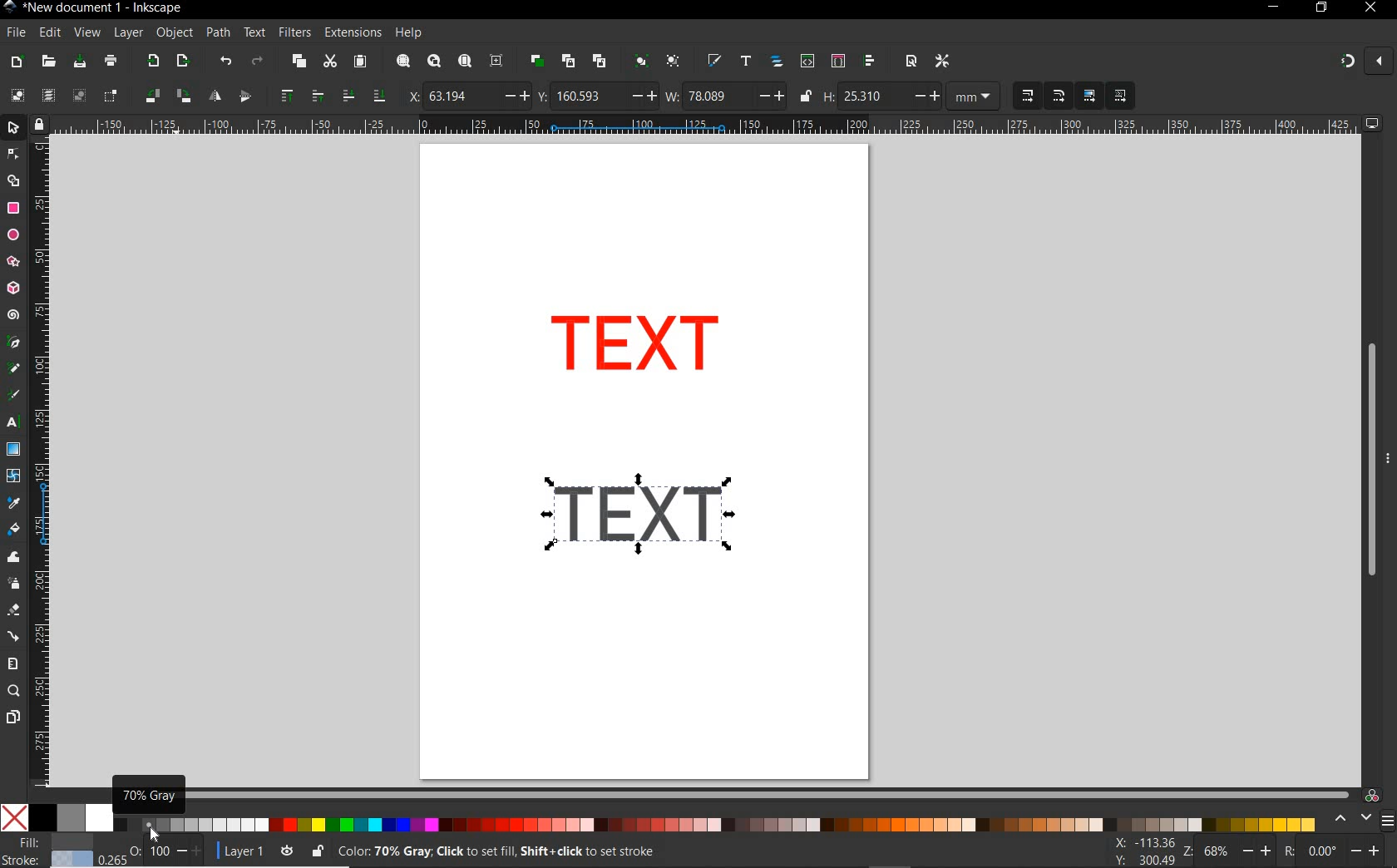  Describe the element at coordinates (636, 508) in the screenshot. I see `gray shadow color added to duplicate` at that location.